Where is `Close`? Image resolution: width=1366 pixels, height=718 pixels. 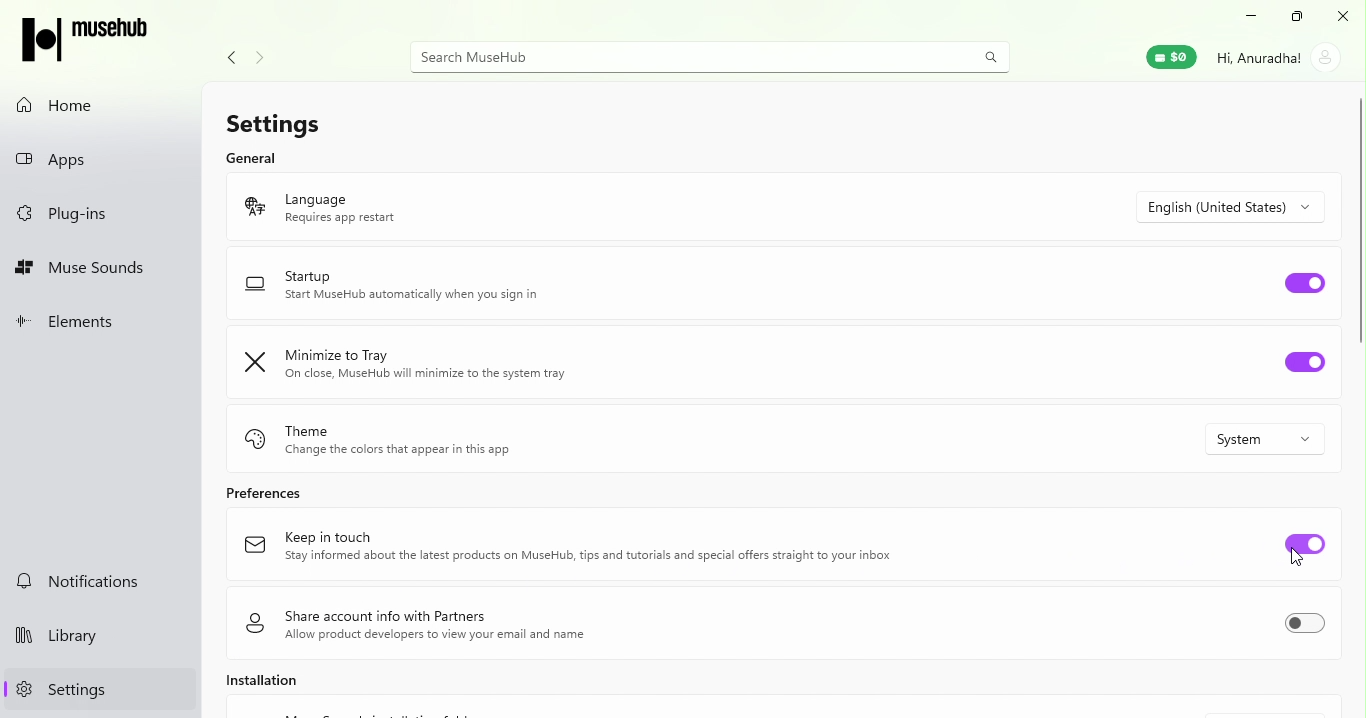 Close is located at coordinates (1342, 15).